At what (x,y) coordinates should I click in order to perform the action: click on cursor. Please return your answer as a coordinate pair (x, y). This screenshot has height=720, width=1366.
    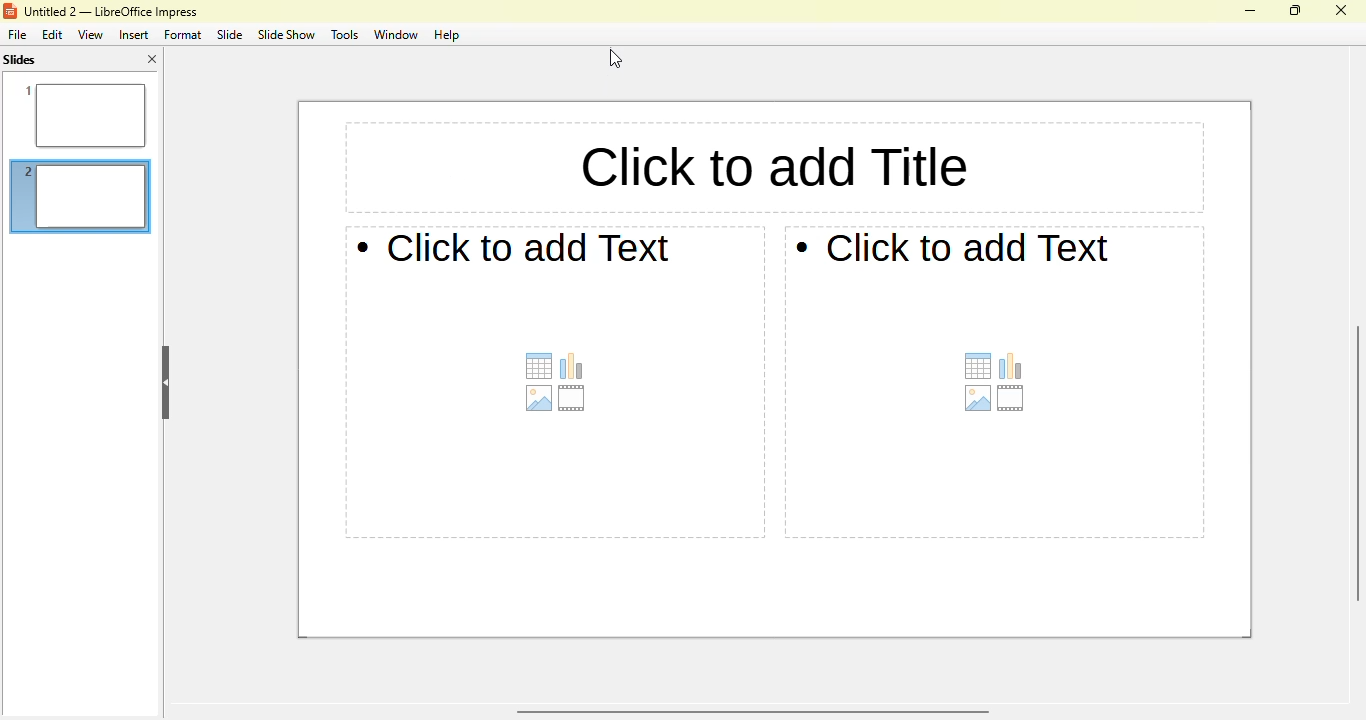
    Looking at the image, I should click on (615, 58).